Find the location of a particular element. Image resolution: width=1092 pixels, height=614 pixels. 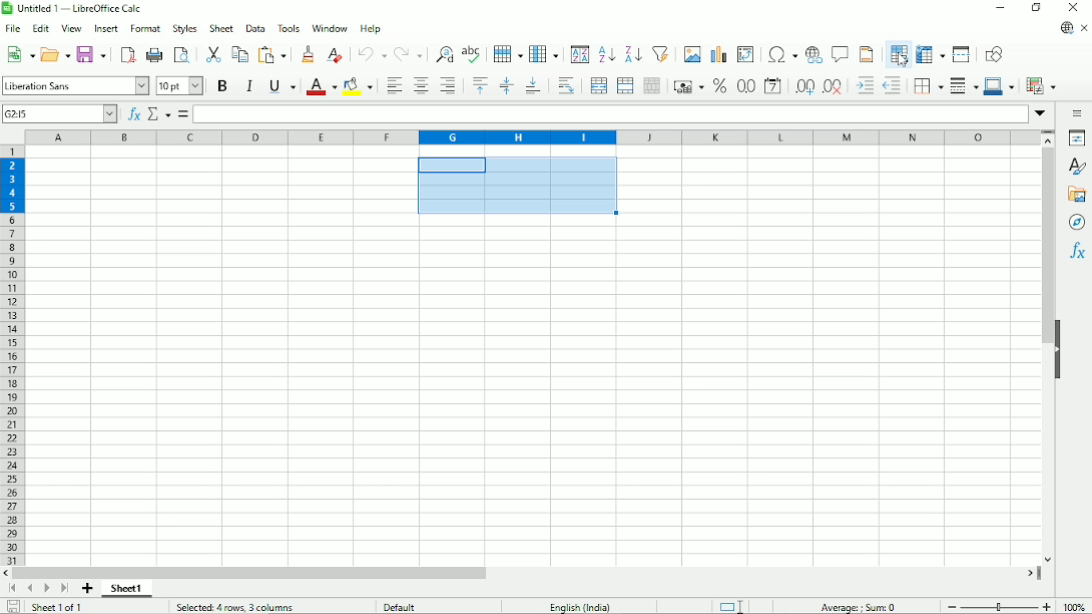

Sort ascending is located at coordinates (606, 55).